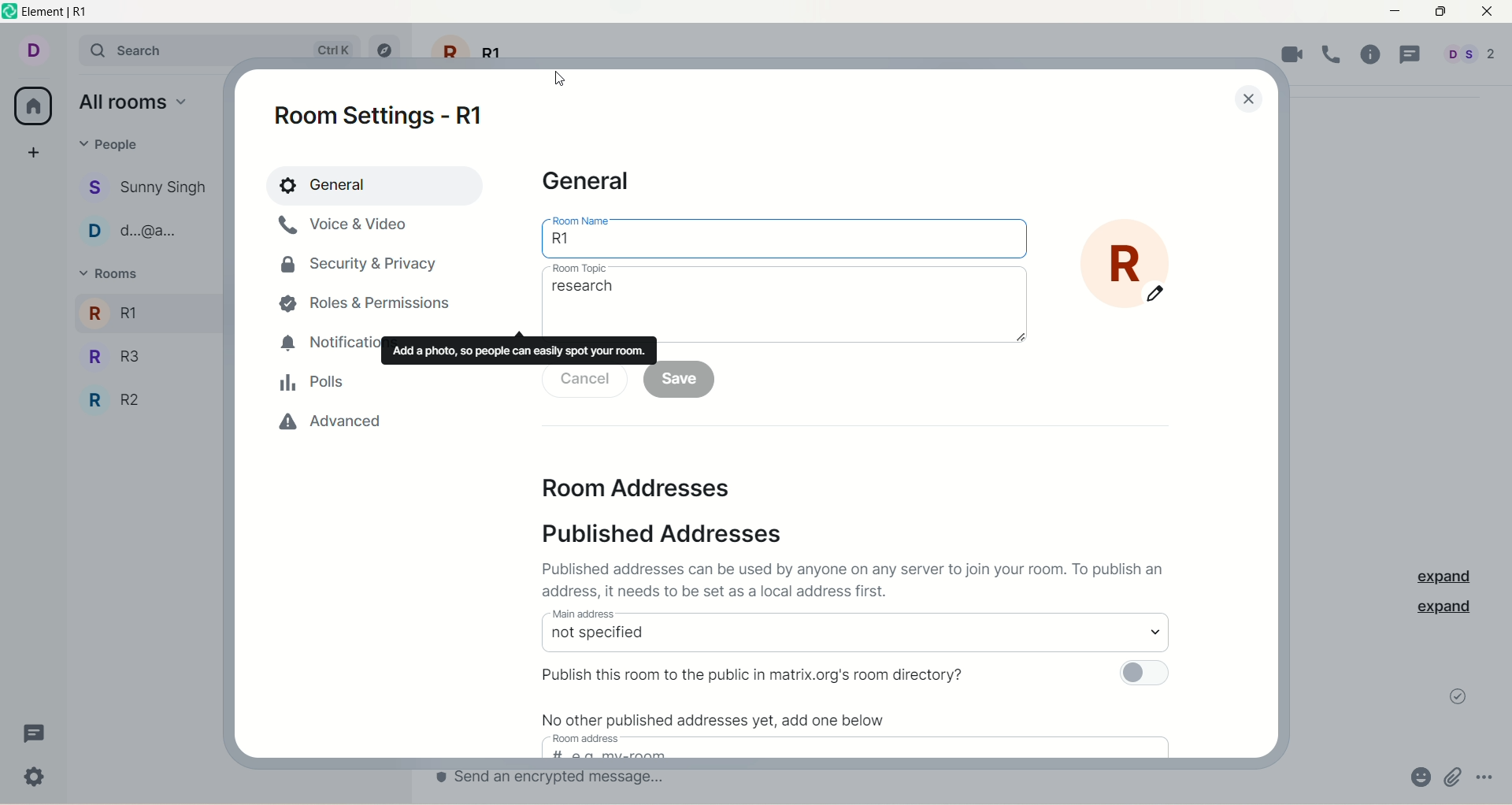  What do you see at coordinates (585, 380) in the screenshot?
I see `cancel` at bounding box center [585, 380].